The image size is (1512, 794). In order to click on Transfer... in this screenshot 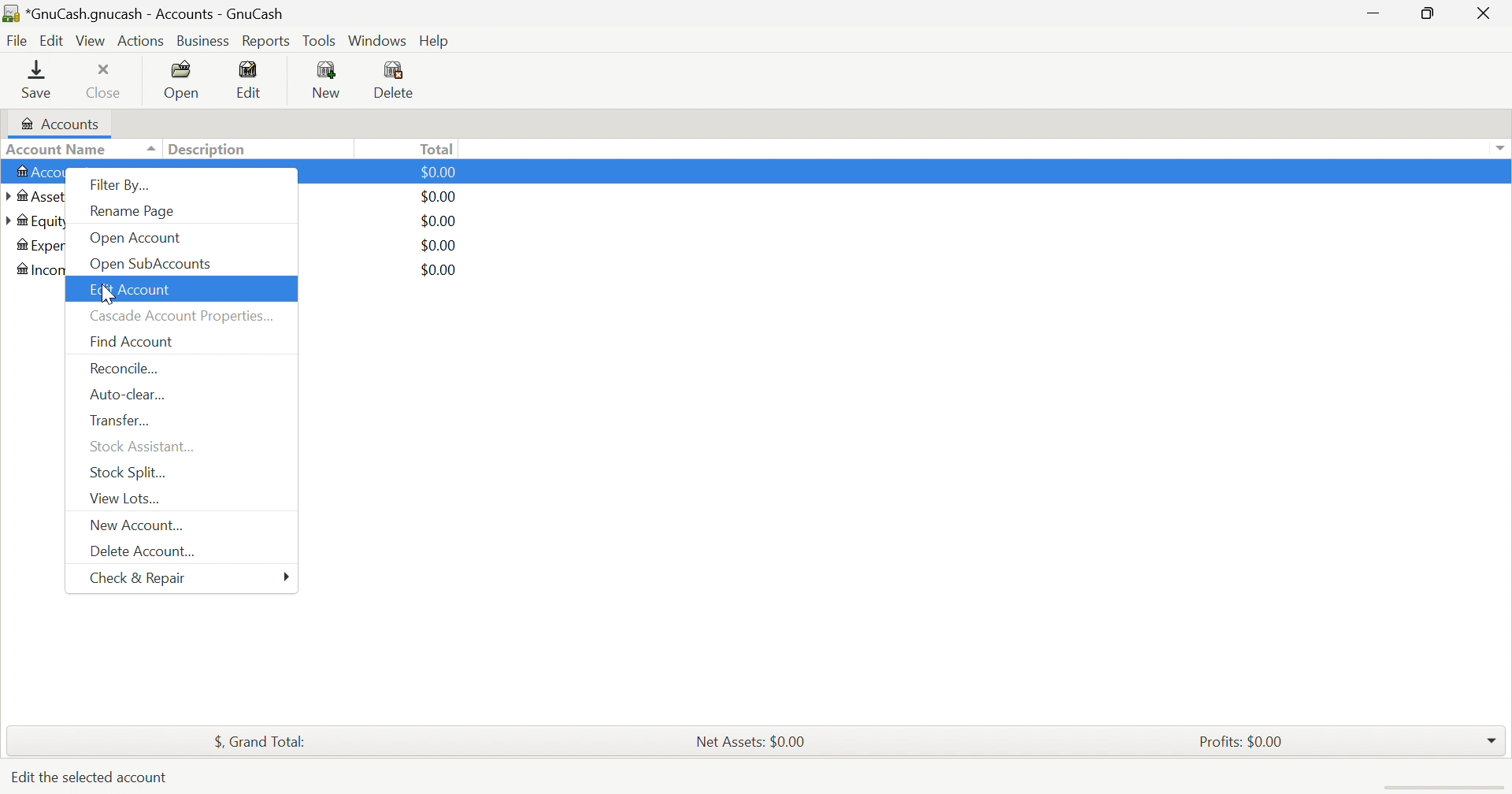, I will do `click(124, 421)`.